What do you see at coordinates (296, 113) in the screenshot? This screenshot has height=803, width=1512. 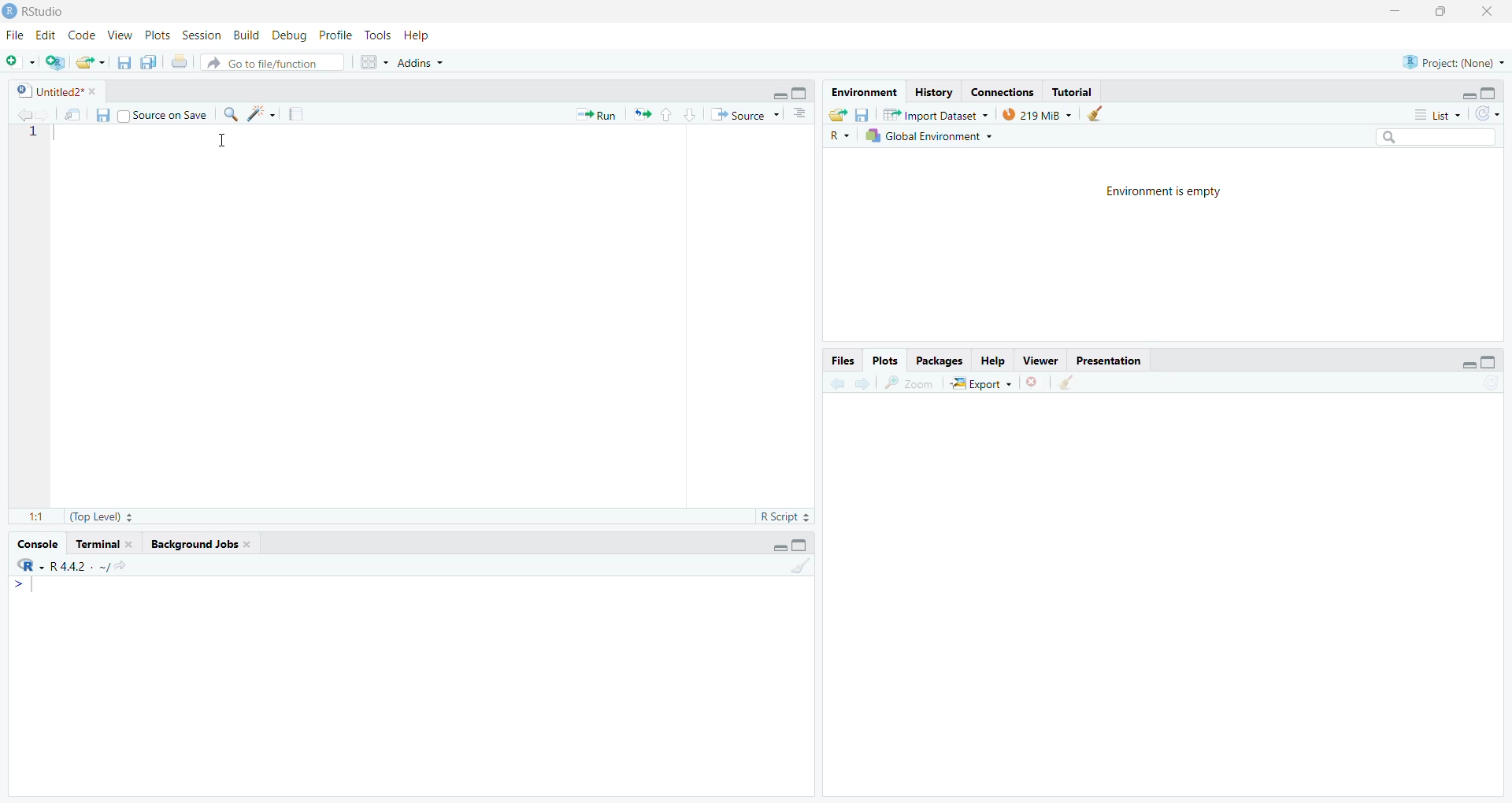 I see `Compile report` at bounding box center [296, 113].